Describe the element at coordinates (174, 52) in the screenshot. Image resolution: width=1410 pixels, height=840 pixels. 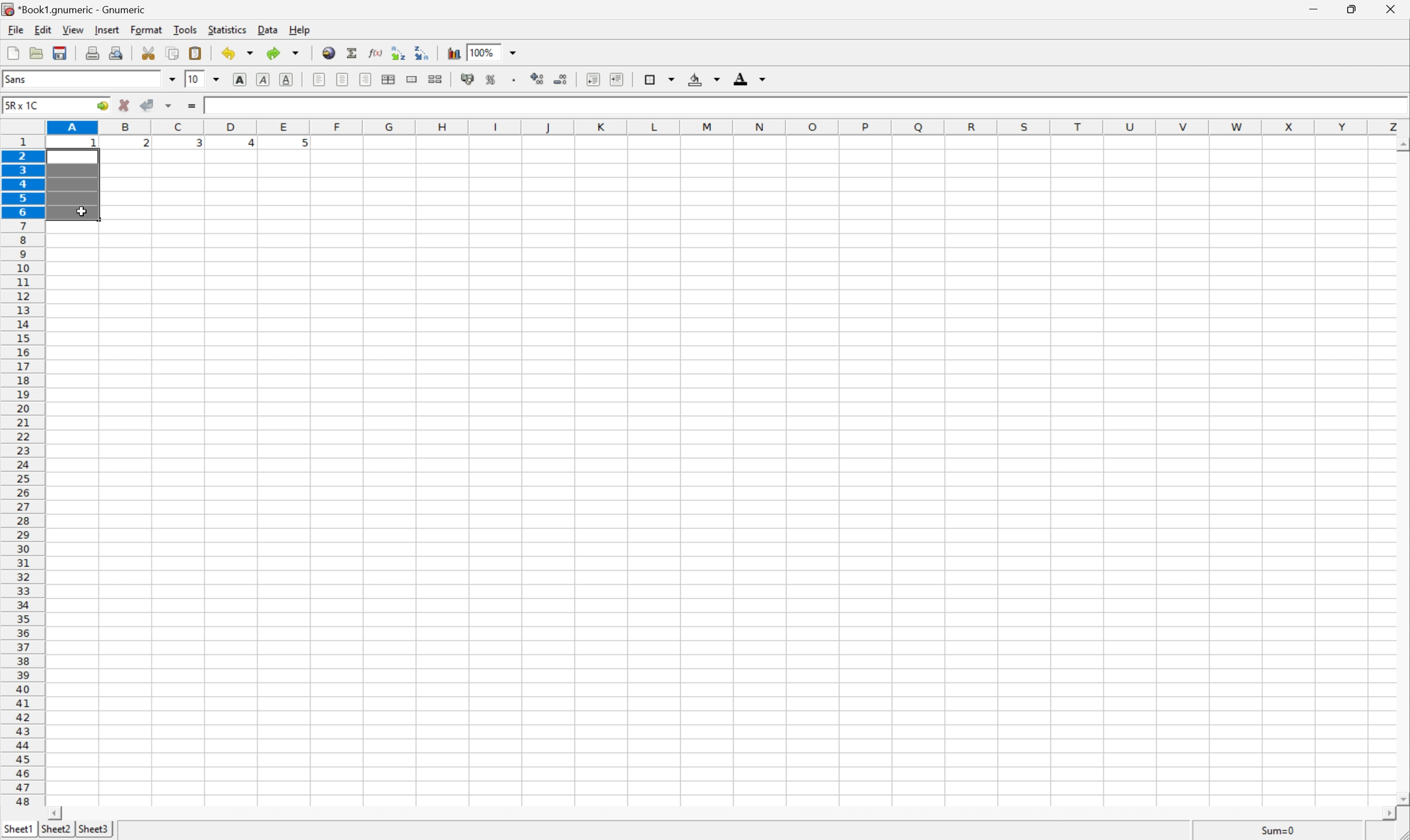
I see `copy` at that location.